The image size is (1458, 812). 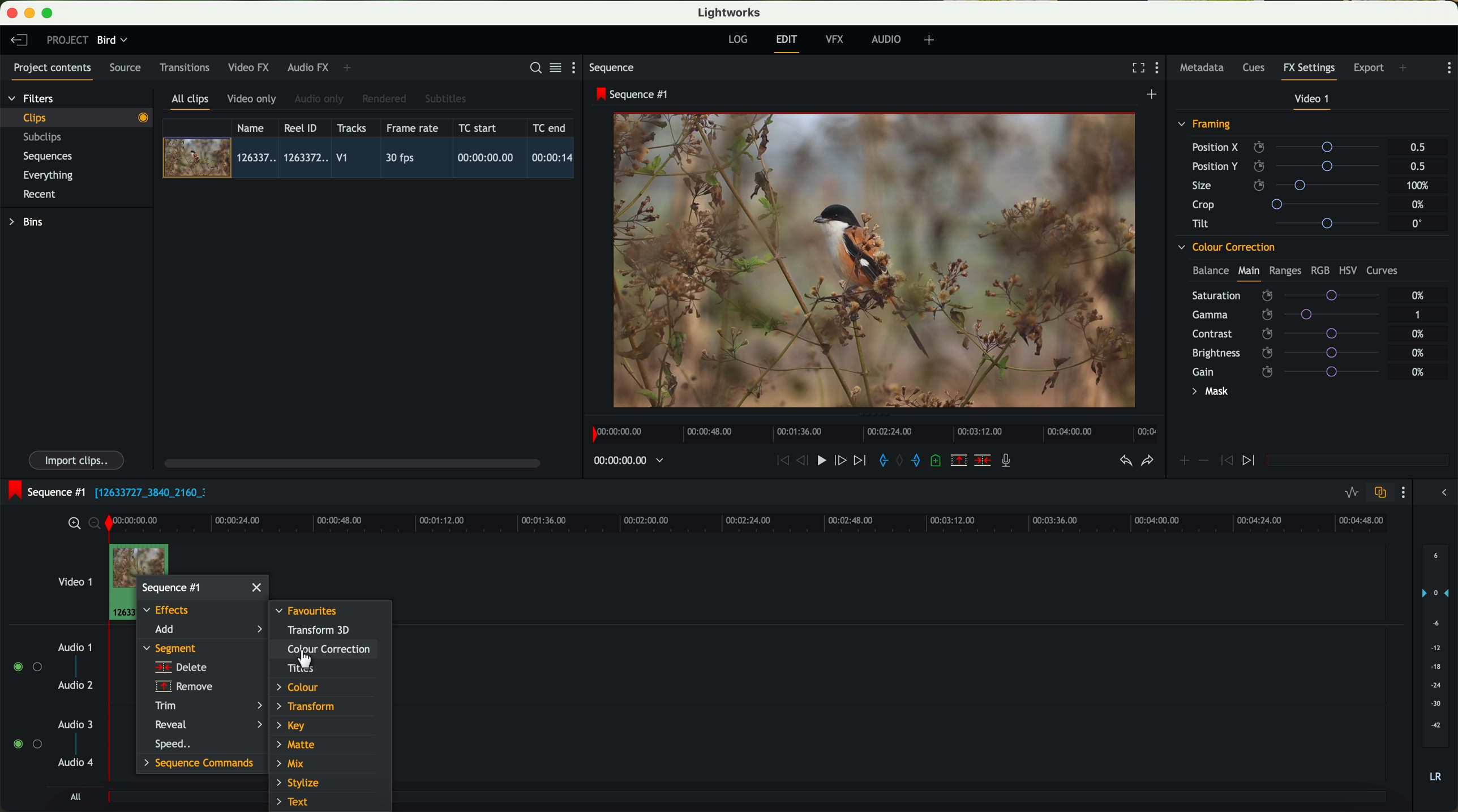 I want to click on video only, so click(x=251, y=100).